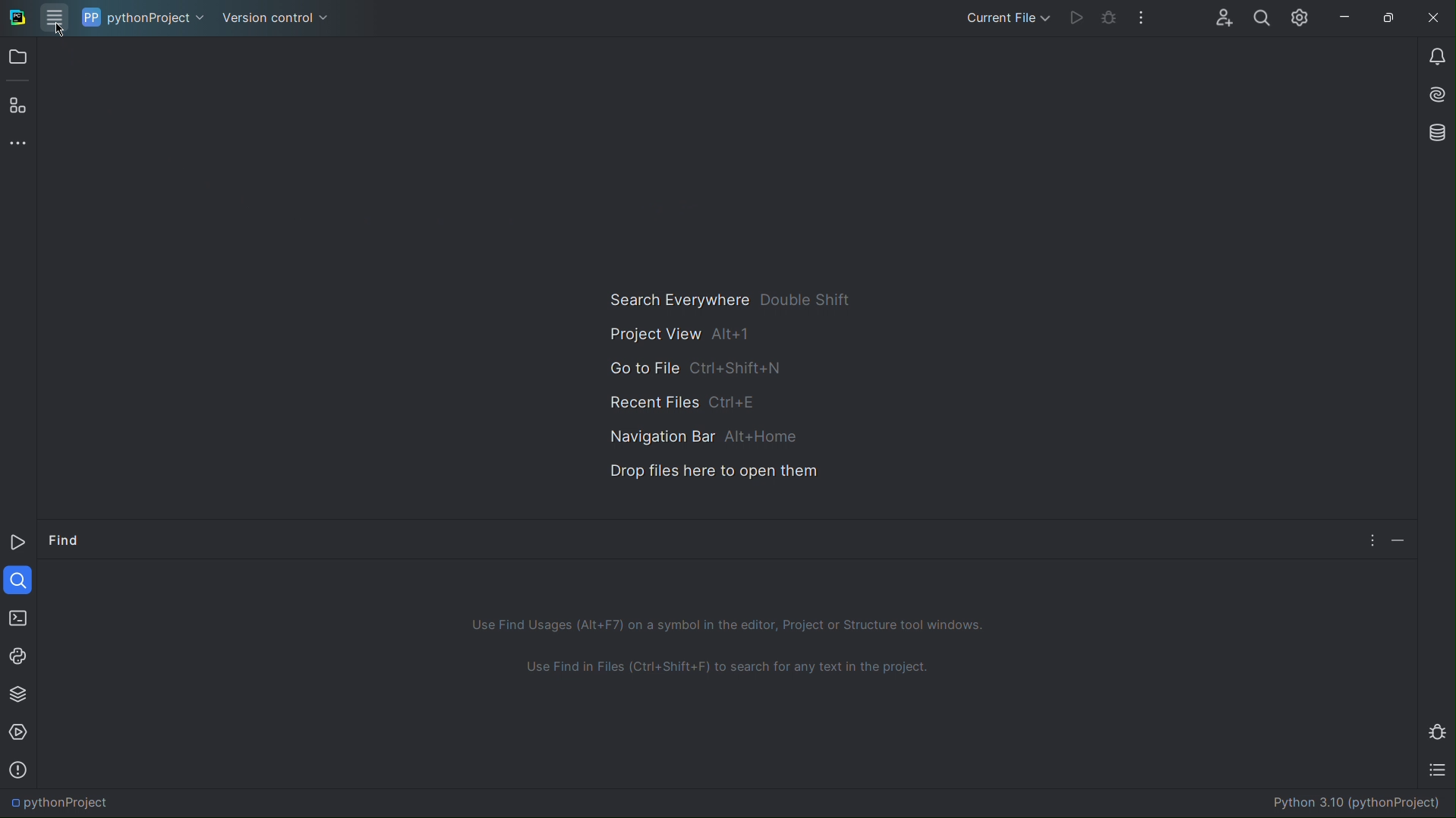 The image size is (1456, 818). What do you see at coordinates (730, 675) in the screenshot?
I see `Find Terminal` at bounding box center [730, 675].